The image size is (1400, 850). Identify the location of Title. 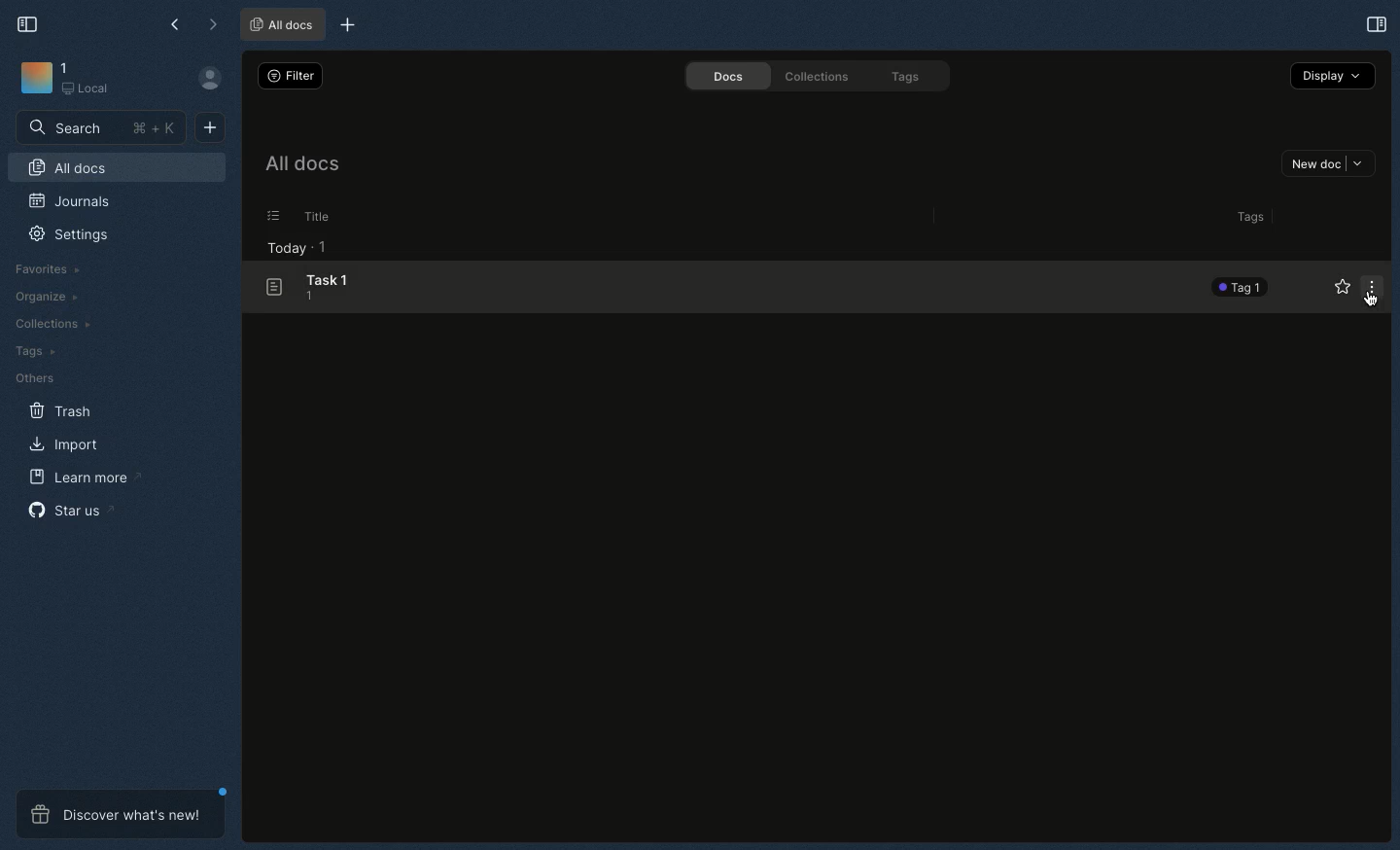
(318, 216).